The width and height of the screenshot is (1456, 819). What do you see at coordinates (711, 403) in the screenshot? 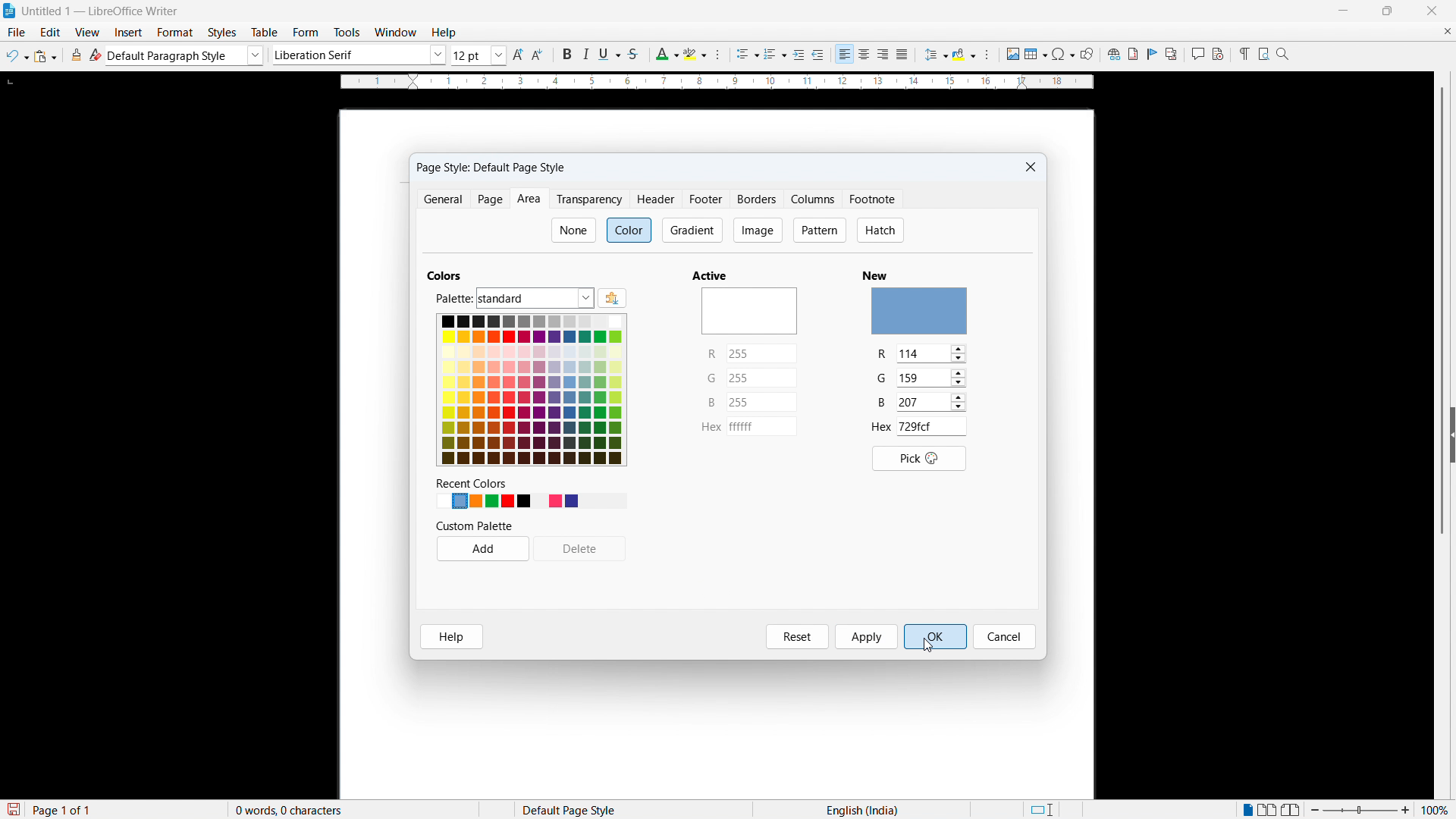
I see `B` at bounding box center [711, 403].